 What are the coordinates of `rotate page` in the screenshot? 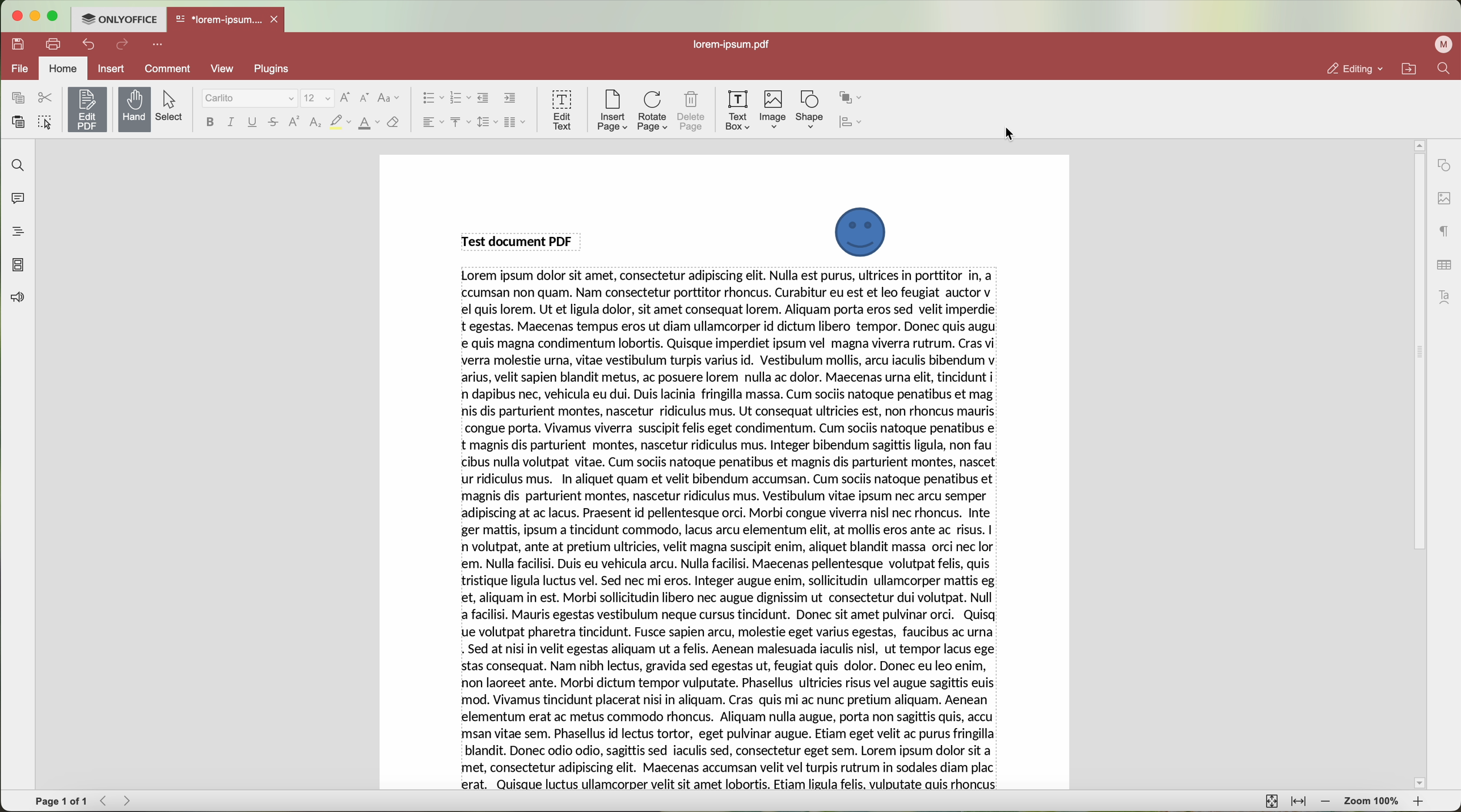 It's located at (653, 111).